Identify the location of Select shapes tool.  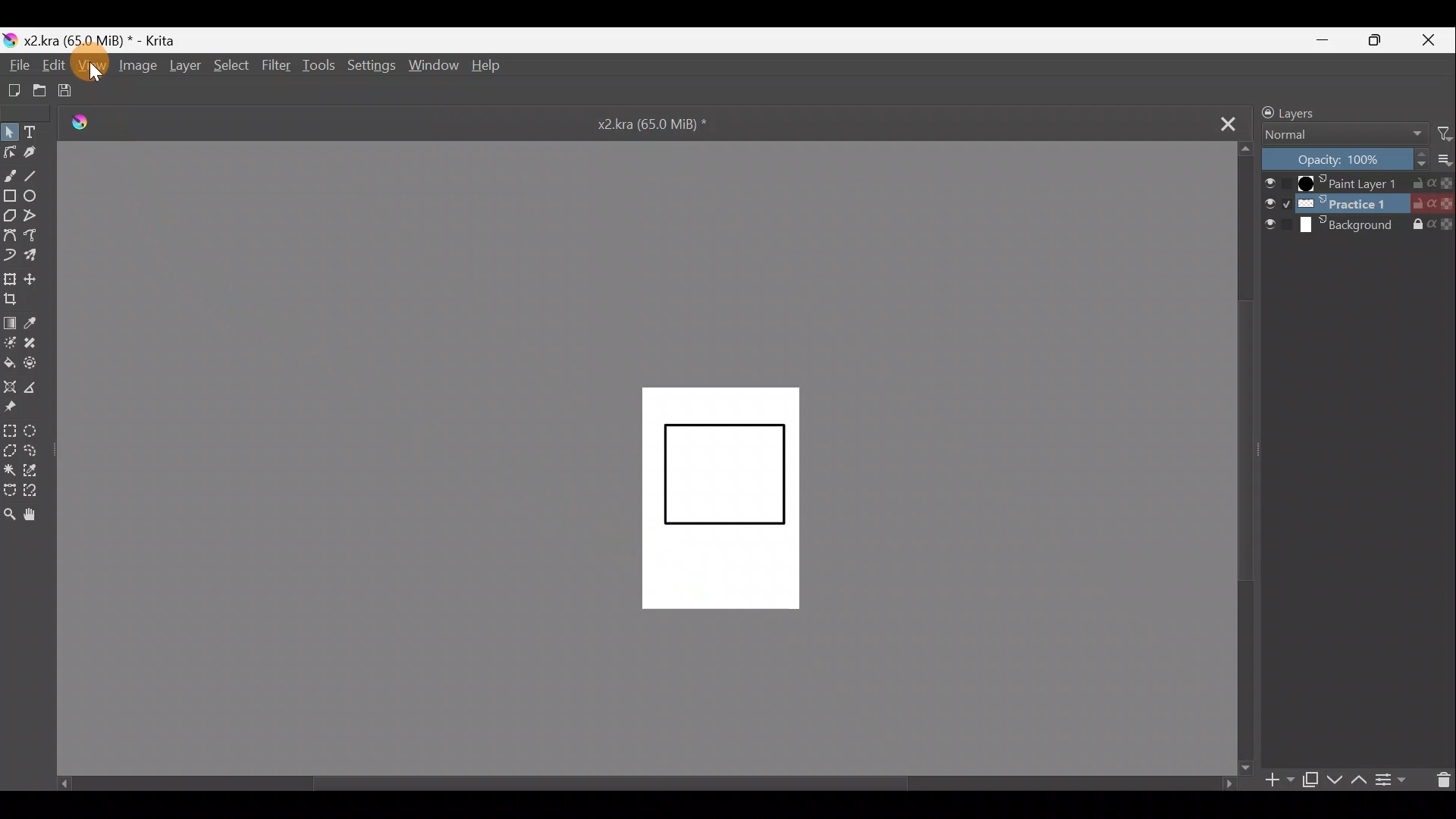
(10, 130).